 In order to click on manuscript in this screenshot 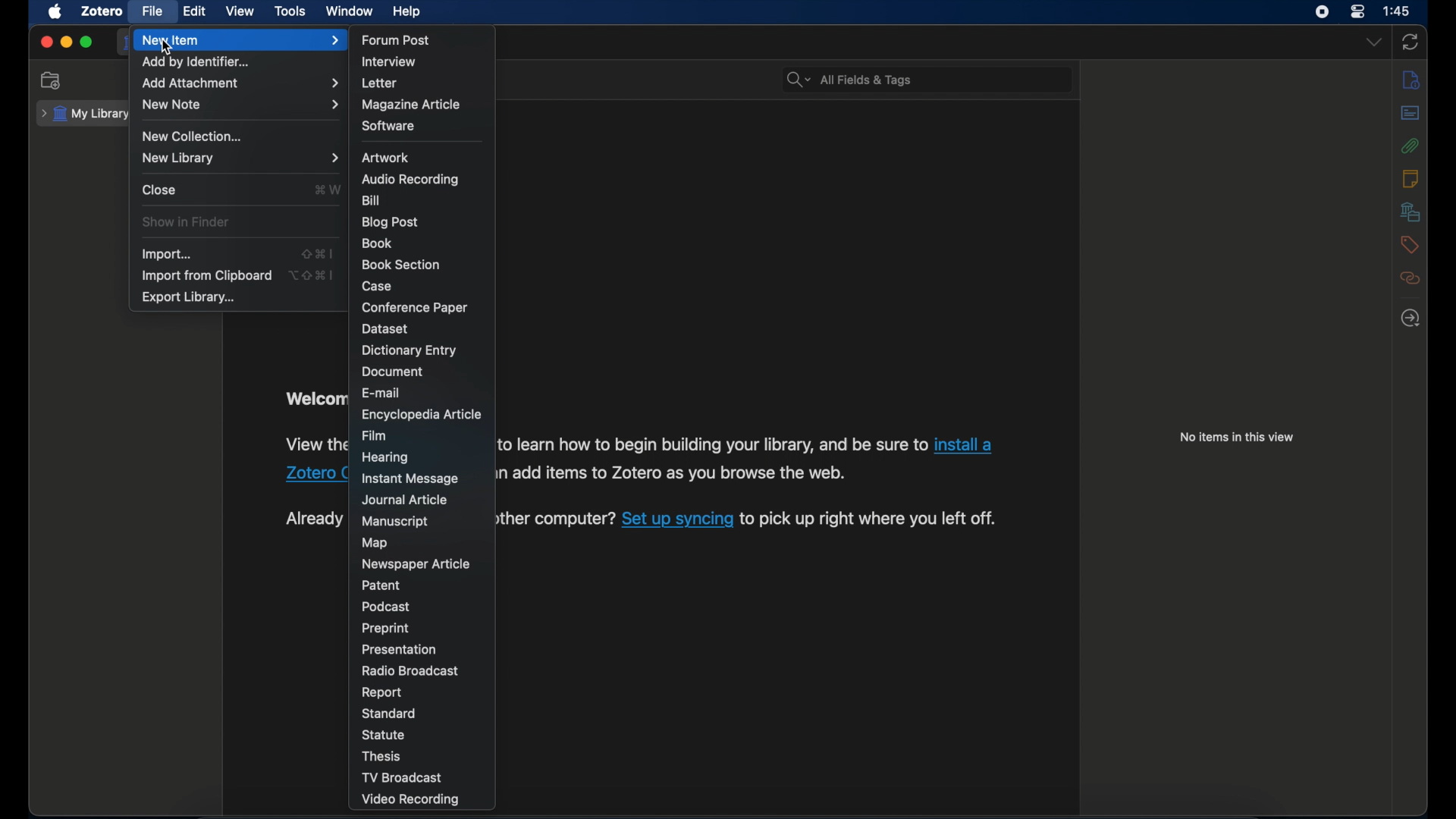, I will do `click(396, 522)`.